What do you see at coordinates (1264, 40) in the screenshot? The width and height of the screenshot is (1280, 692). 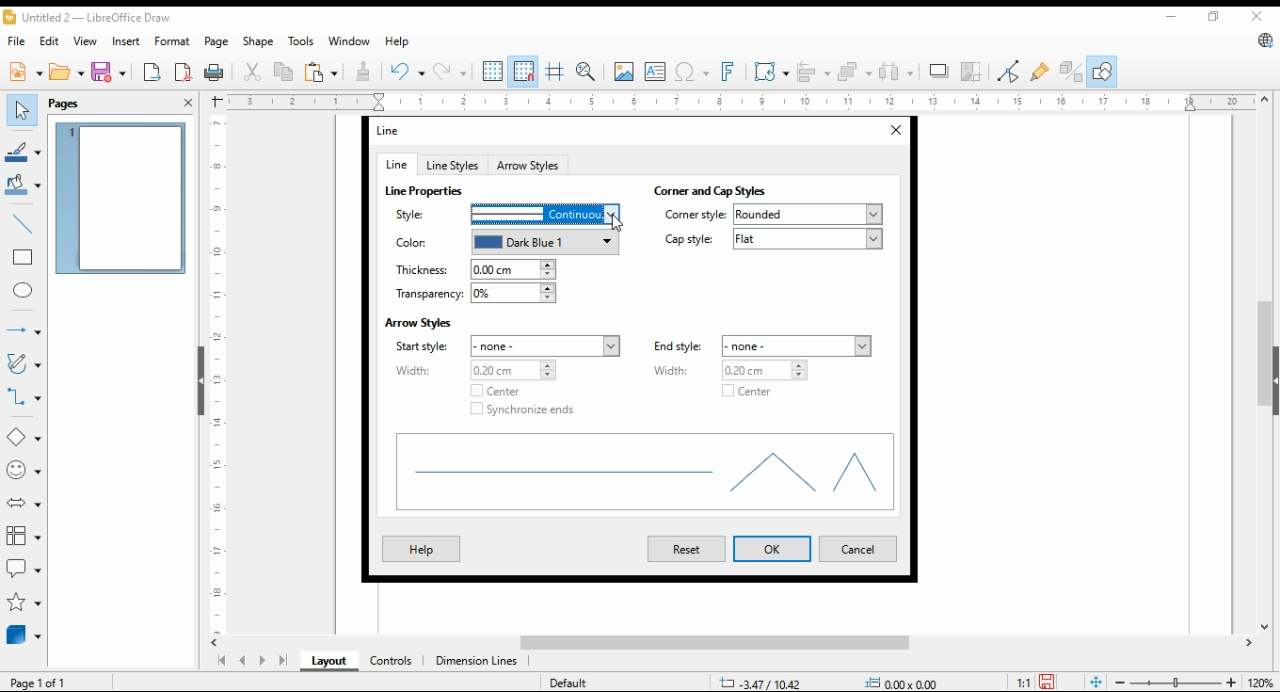 I see `libre office update` at bounding box center [1264, 40].